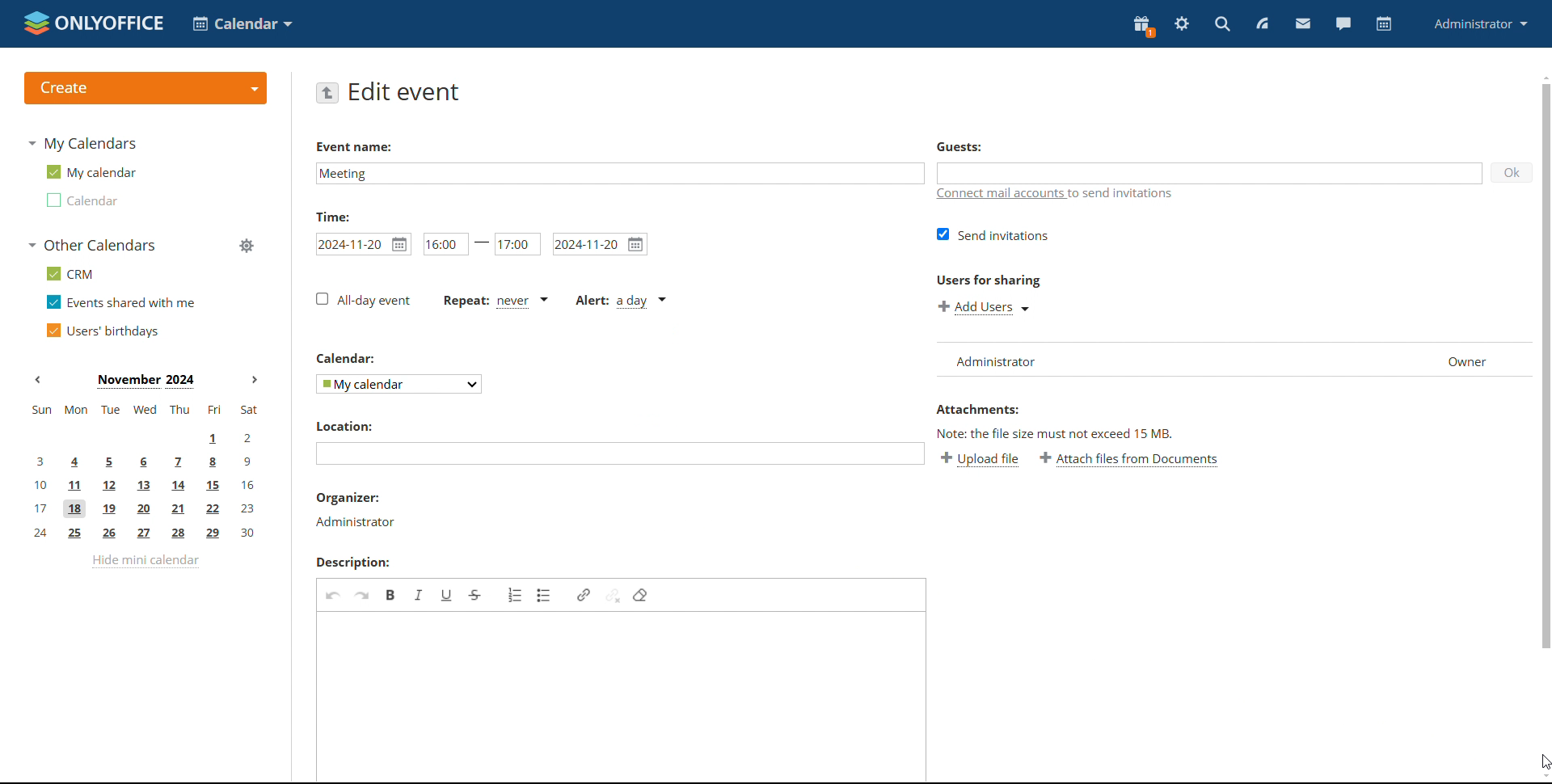 This screenshot has width=1552, height=784. Describe the element at coordinates (1221, 24) in the screenshot. I see `search` at that location.